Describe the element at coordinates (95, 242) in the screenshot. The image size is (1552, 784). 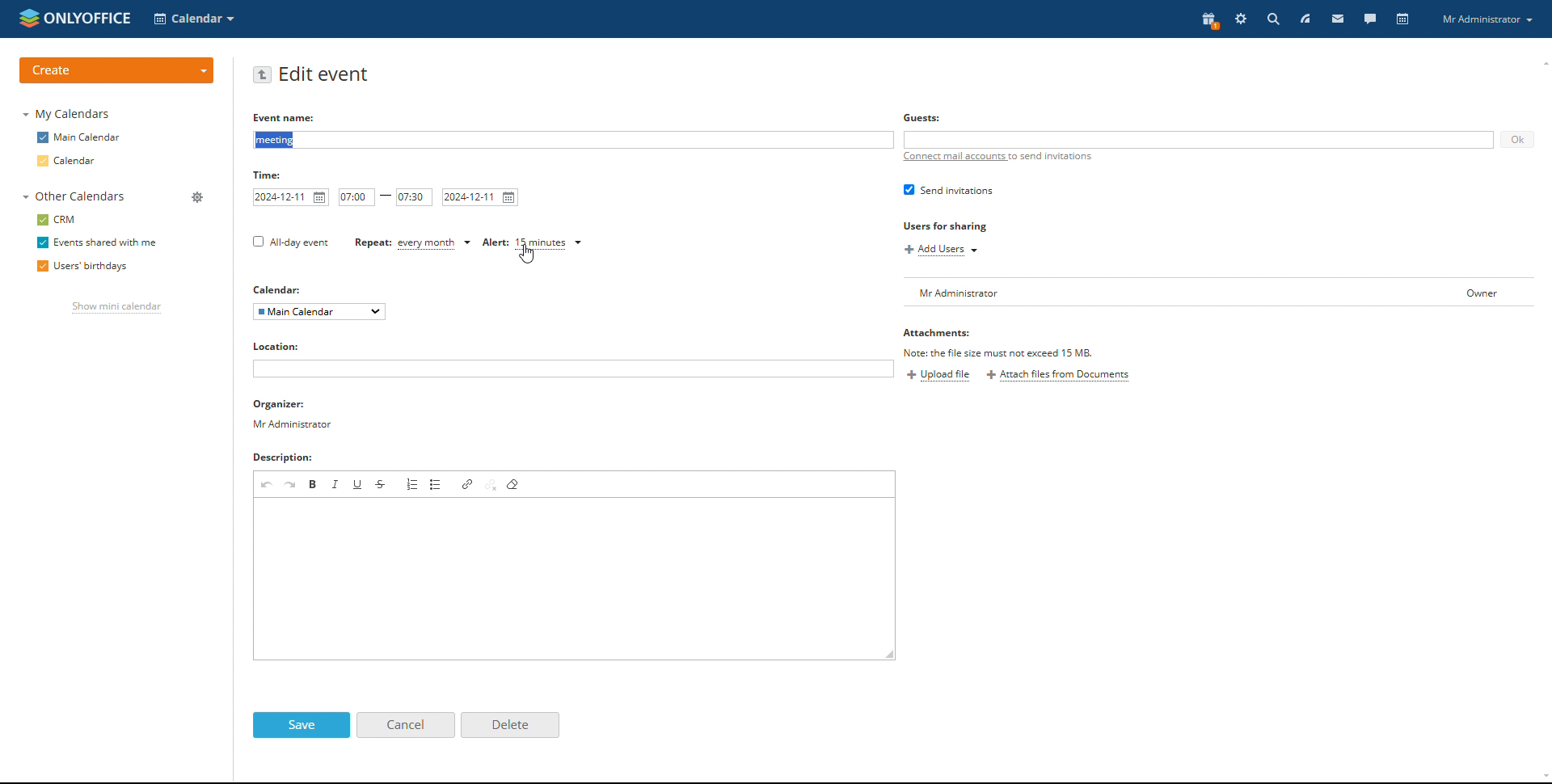
I see `events shared with me` at that location.